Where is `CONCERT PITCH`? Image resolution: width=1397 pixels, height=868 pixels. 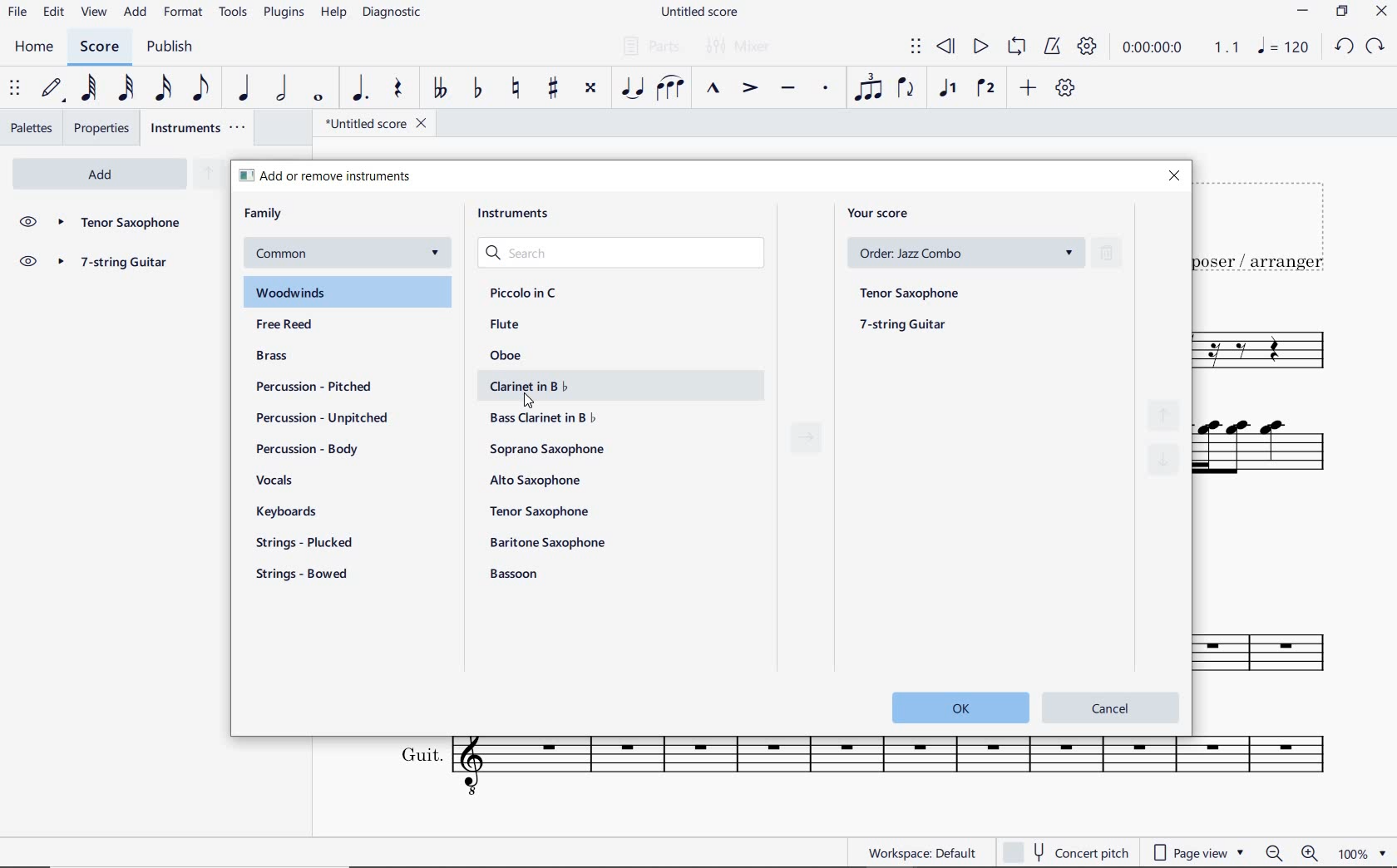 CONCERT PITCH is located at coordinates (1064, 852).